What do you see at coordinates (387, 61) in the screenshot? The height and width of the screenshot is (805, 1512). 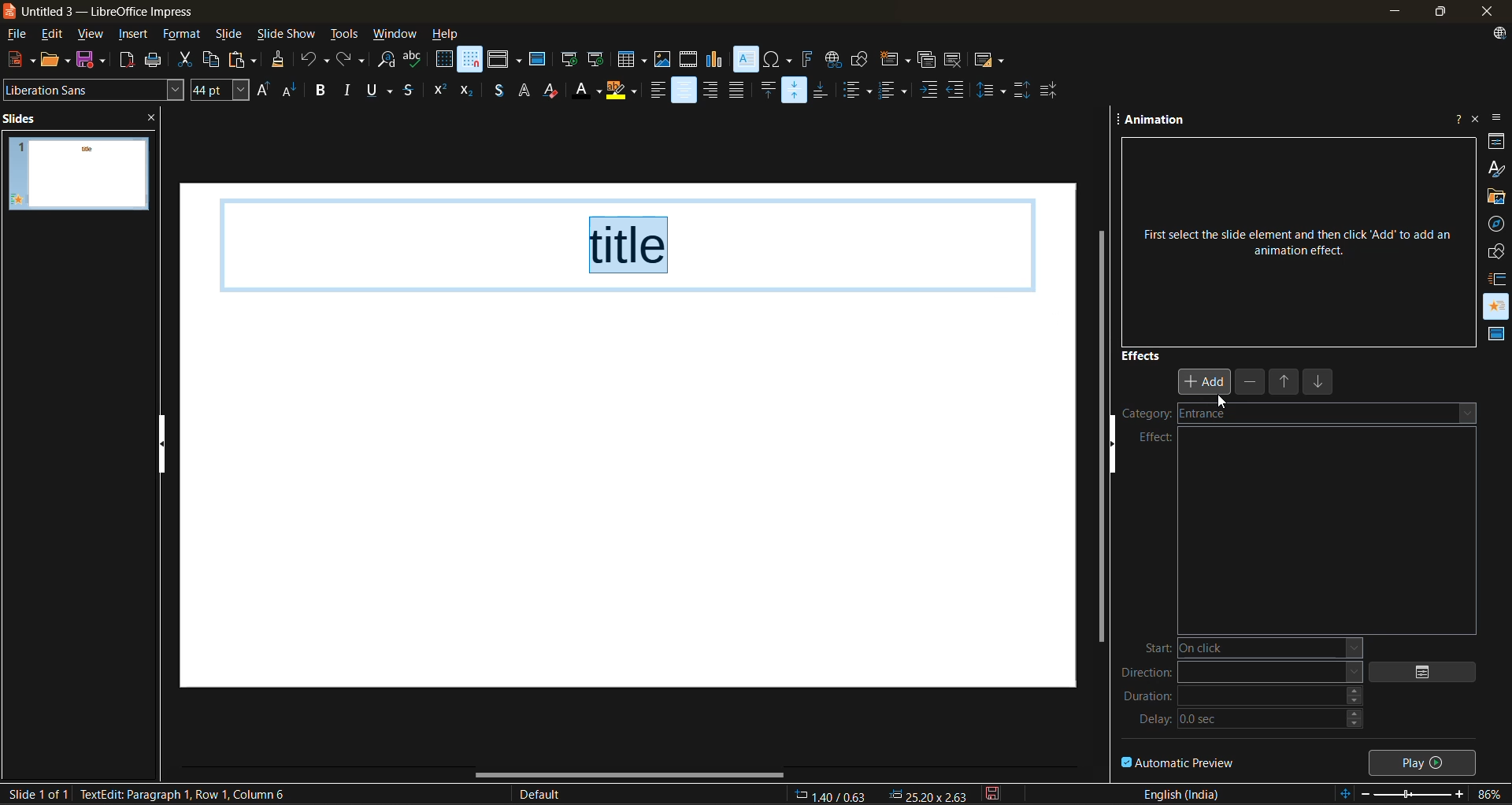 I see `find and replace` at bounding box center [387, 61].